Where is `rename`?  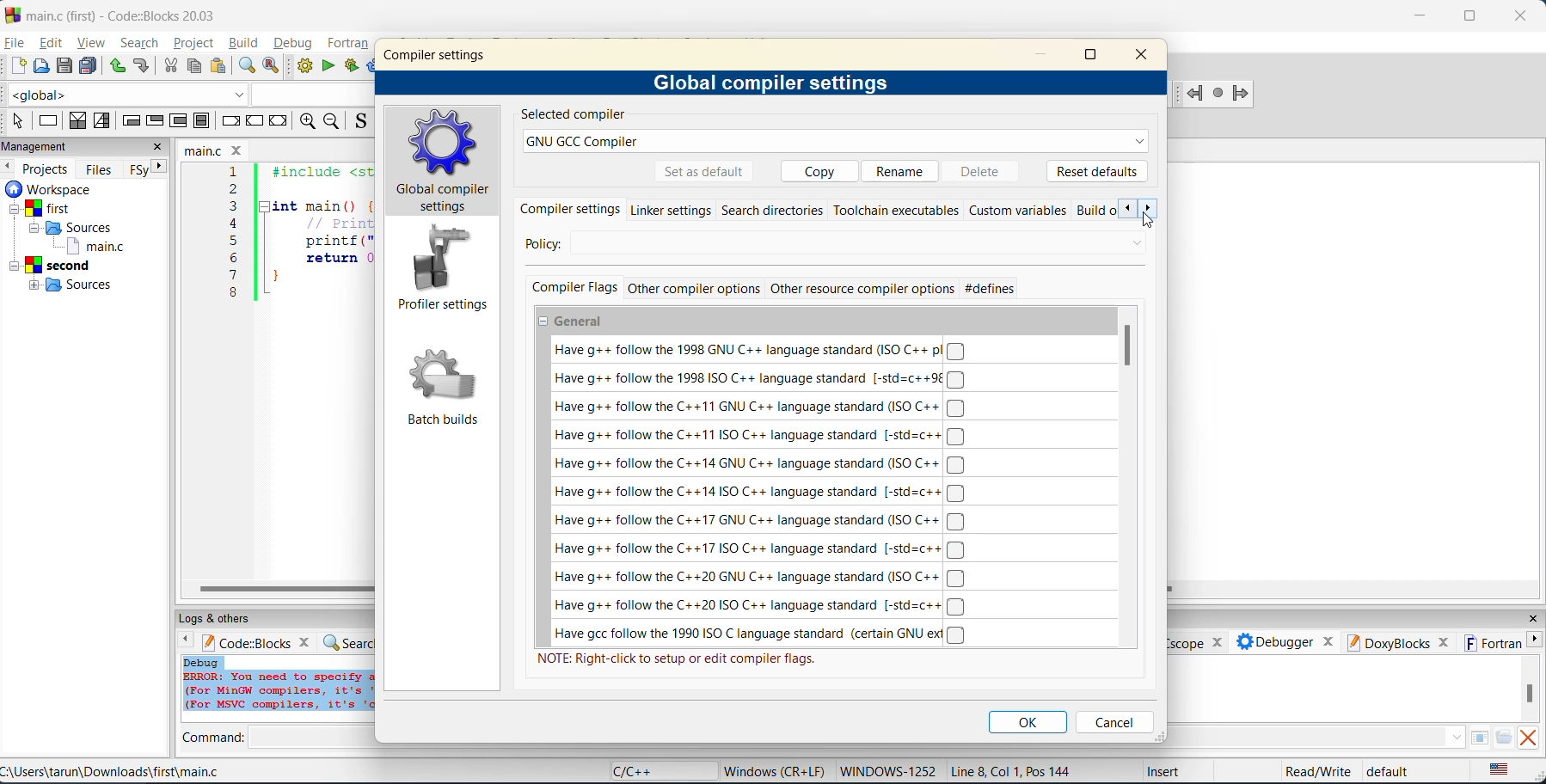 rename is located at coordinates (902, 169).